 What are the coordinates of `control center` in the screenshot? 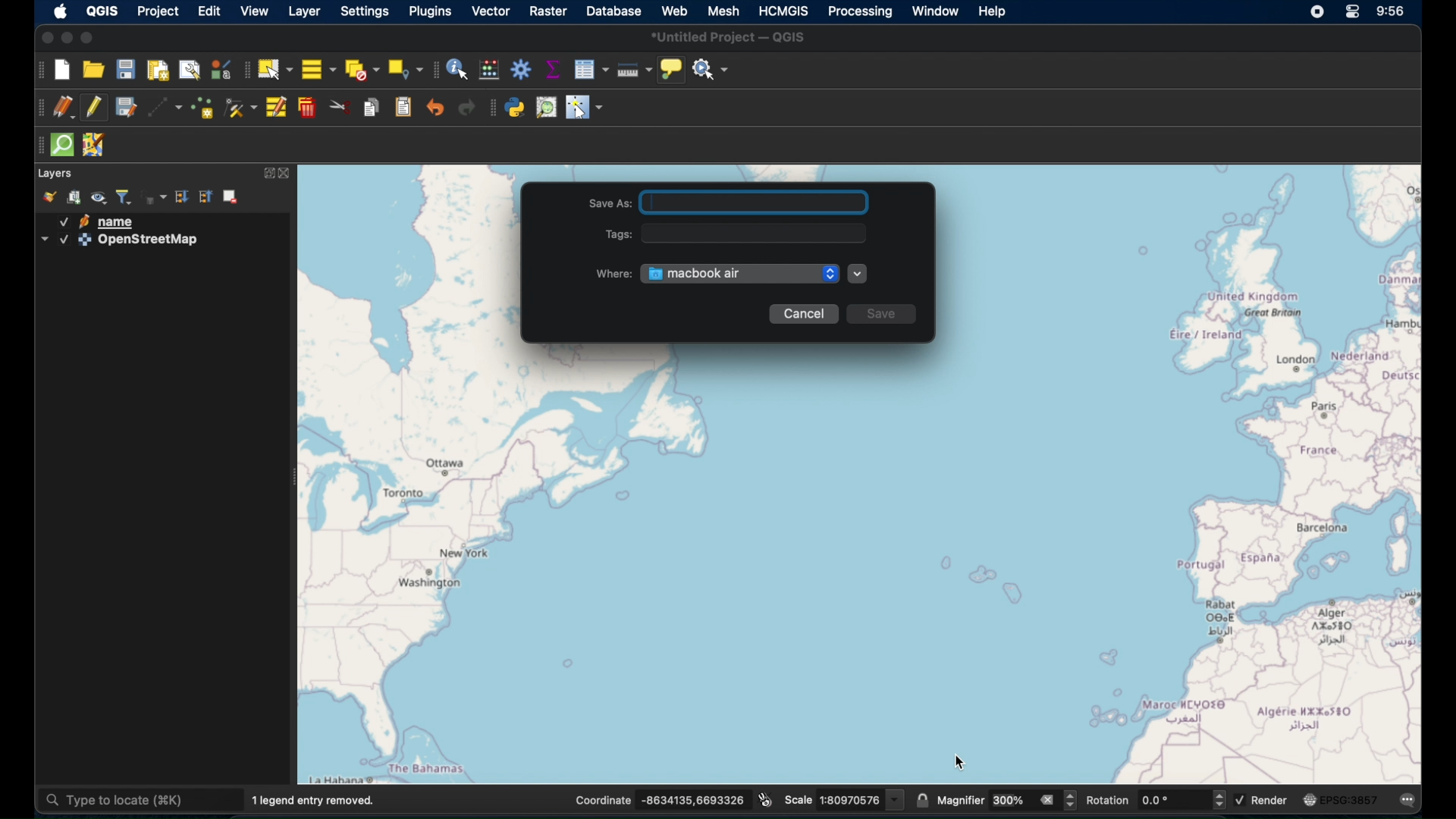 It's located at (1354, 11).